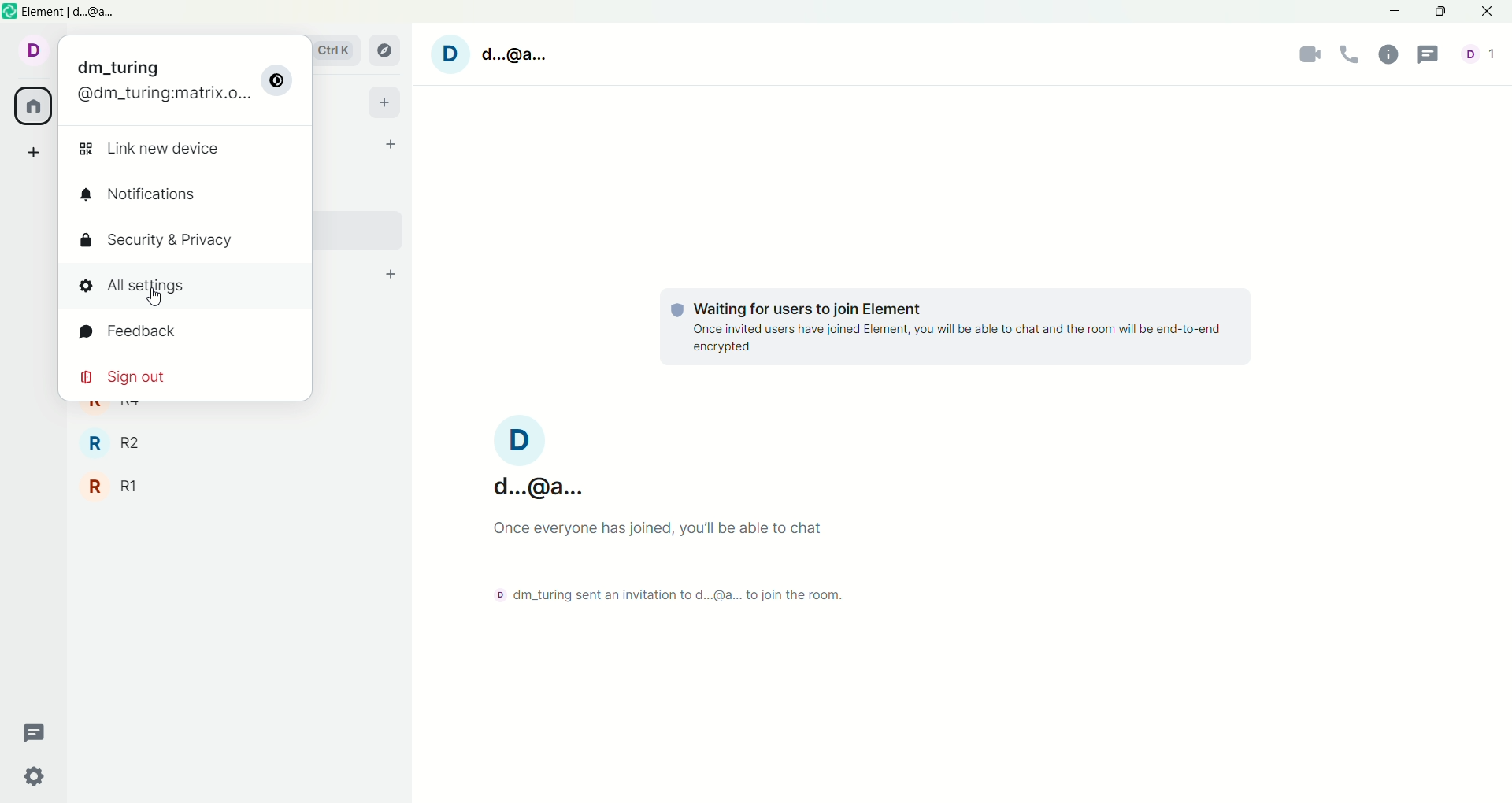  What do you see at coordinates (157, 80) in the screenshot?
I see `dm_turing
@dm_turing:matrix.o...` at bounding box center [157, 80].